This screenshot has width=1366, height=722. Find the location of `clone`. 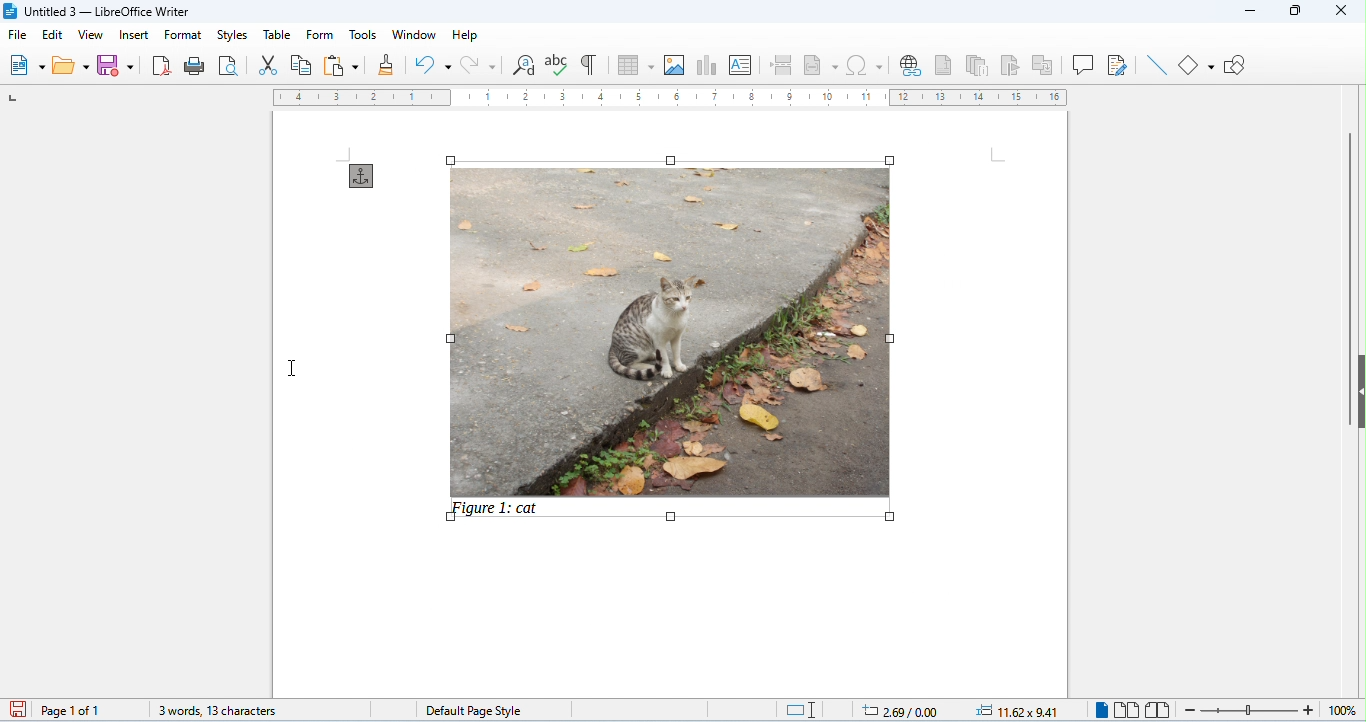

clone is located at coordinates (388, 64).